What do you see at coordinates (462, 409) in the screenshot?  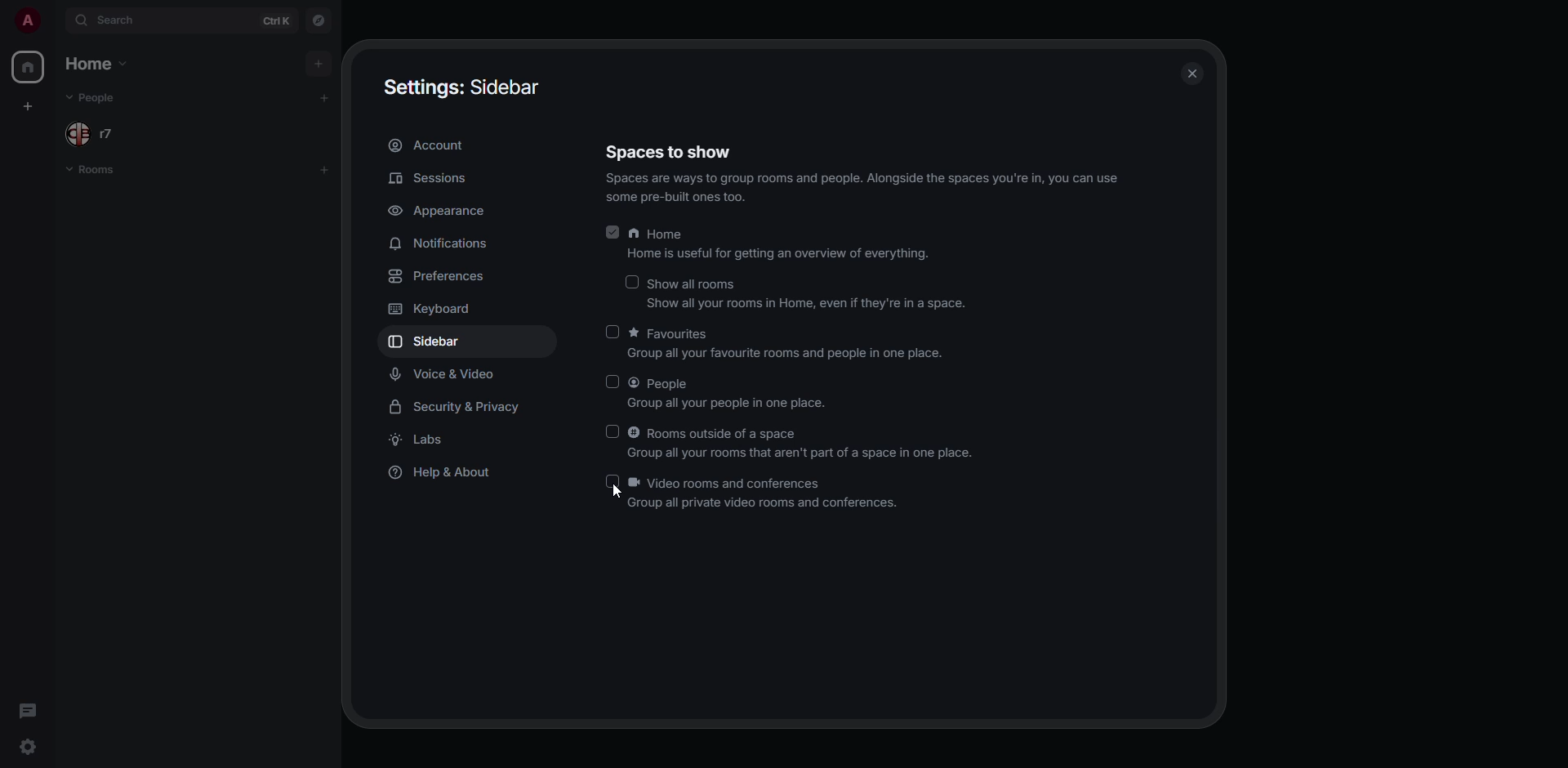 I see `security & privacy` at bounding box center [462, 409].